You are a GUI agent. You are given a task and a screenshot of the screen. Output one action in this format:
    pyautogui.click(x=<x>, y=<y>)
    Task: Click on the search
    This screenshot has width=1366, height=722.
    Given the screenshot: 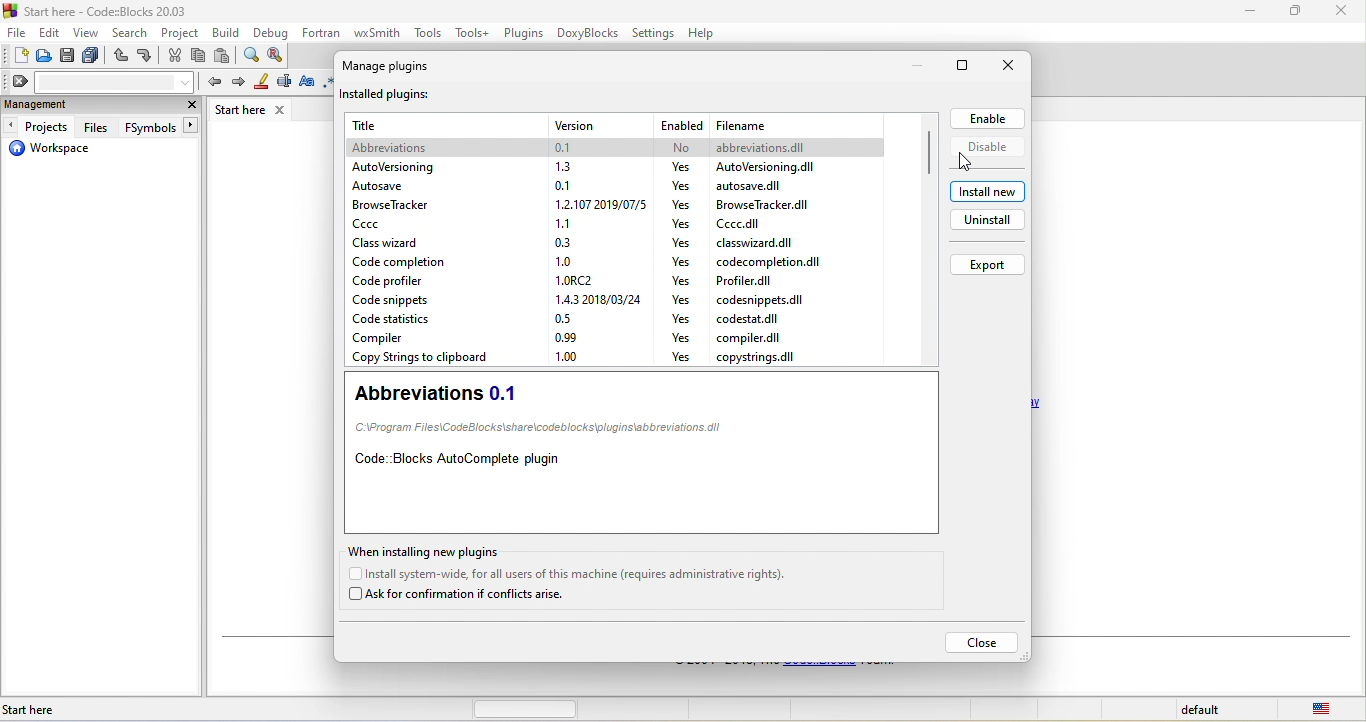 What is the action you would take?
    pyautogui.click(x=127, y=32)
    